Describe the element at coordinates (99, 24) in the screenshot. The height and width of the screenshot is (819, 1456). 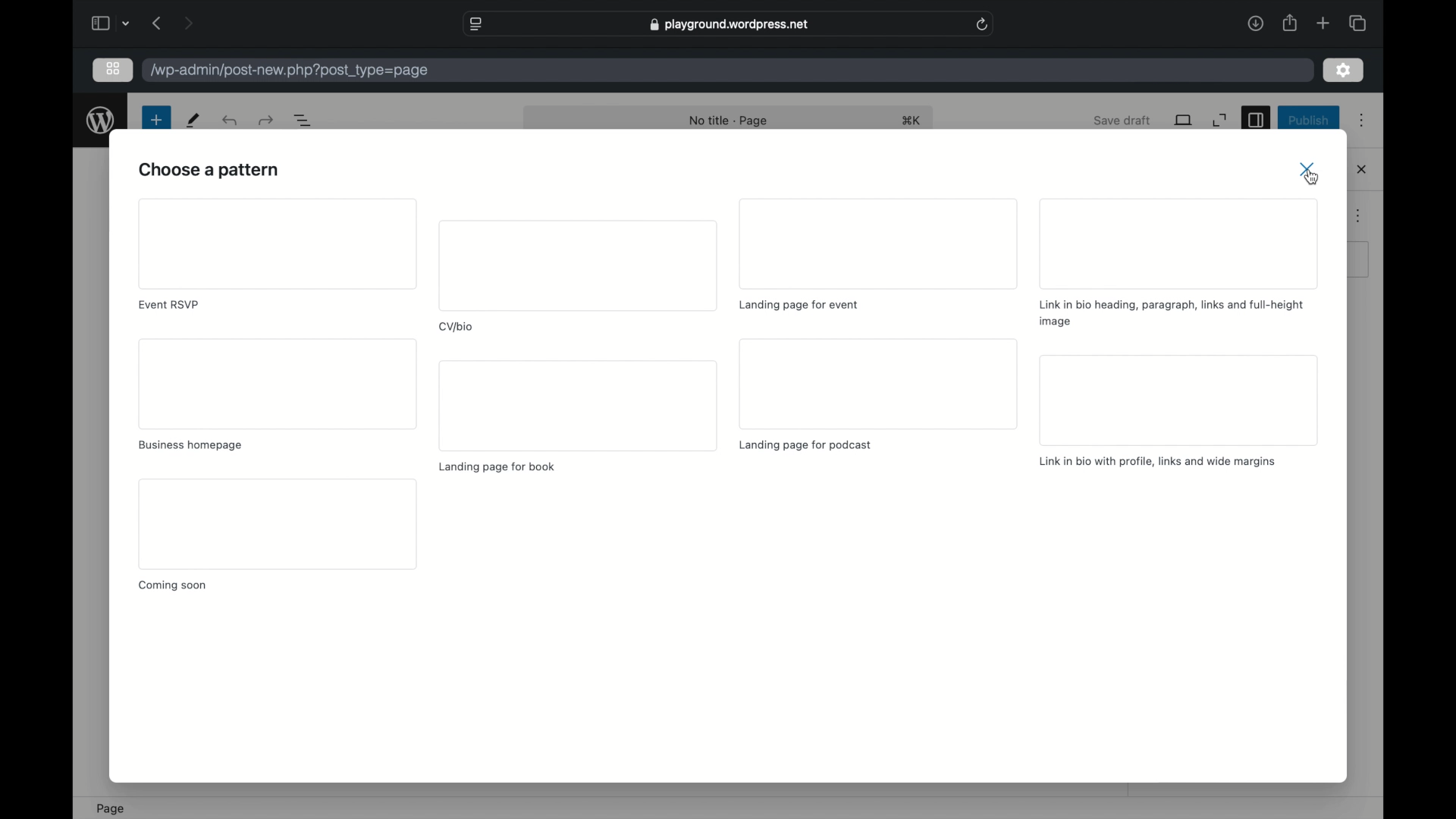
I see `show sidebar` at that location.